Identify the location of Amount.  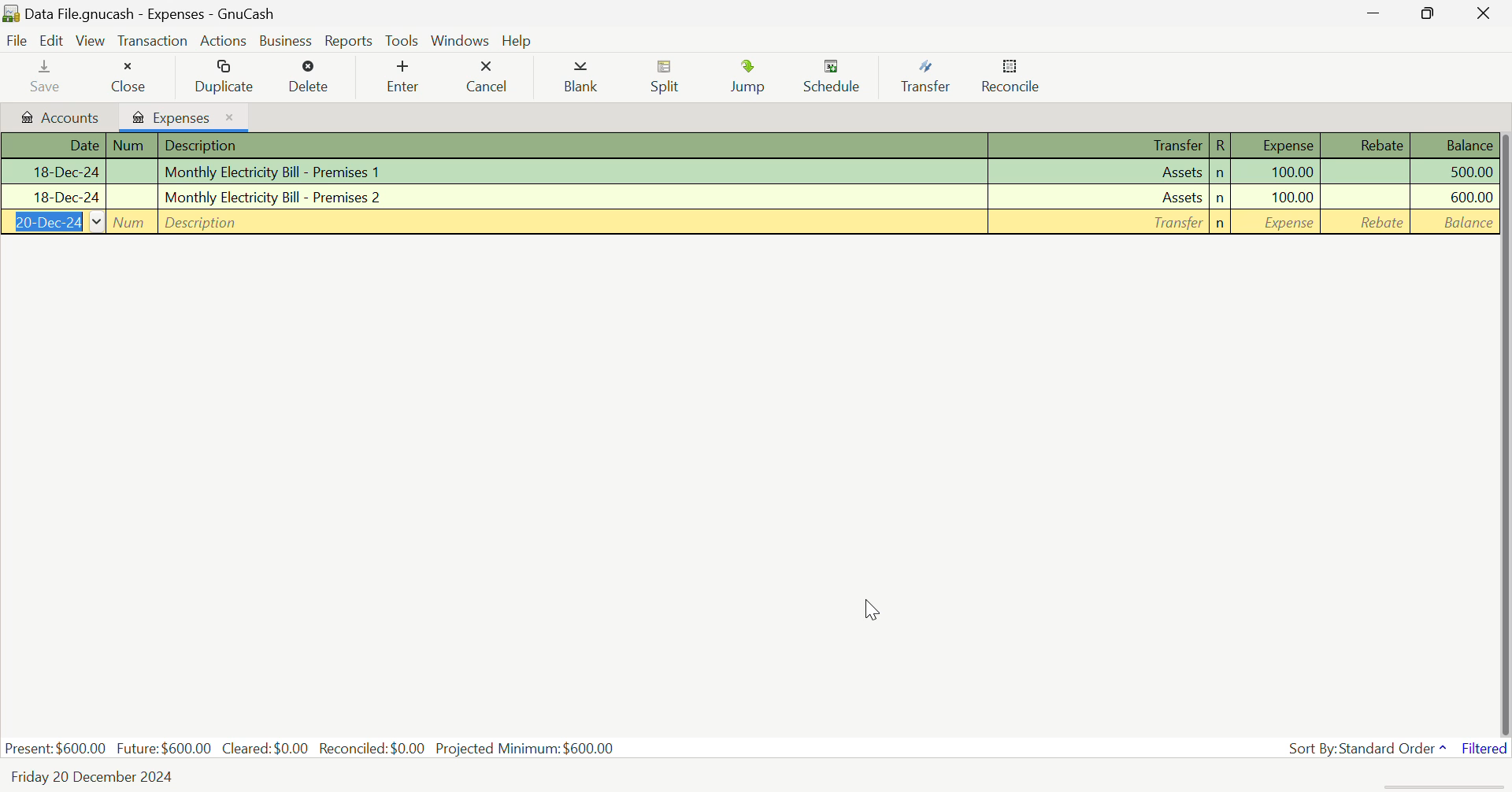
(1454, 198).